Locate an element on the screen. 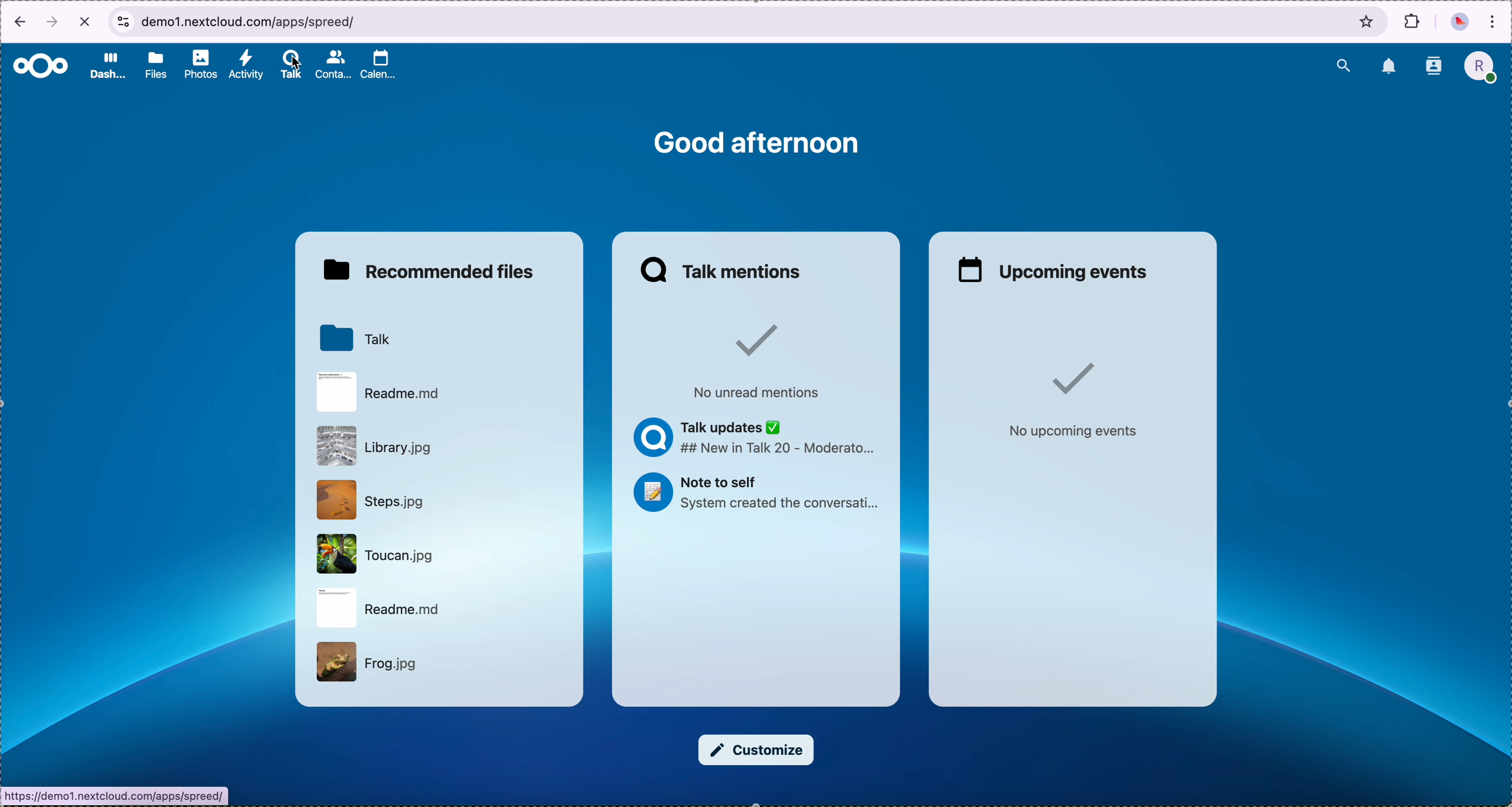 This screenshot has height=807, width=1512. back is located at coordinates (15, 21).